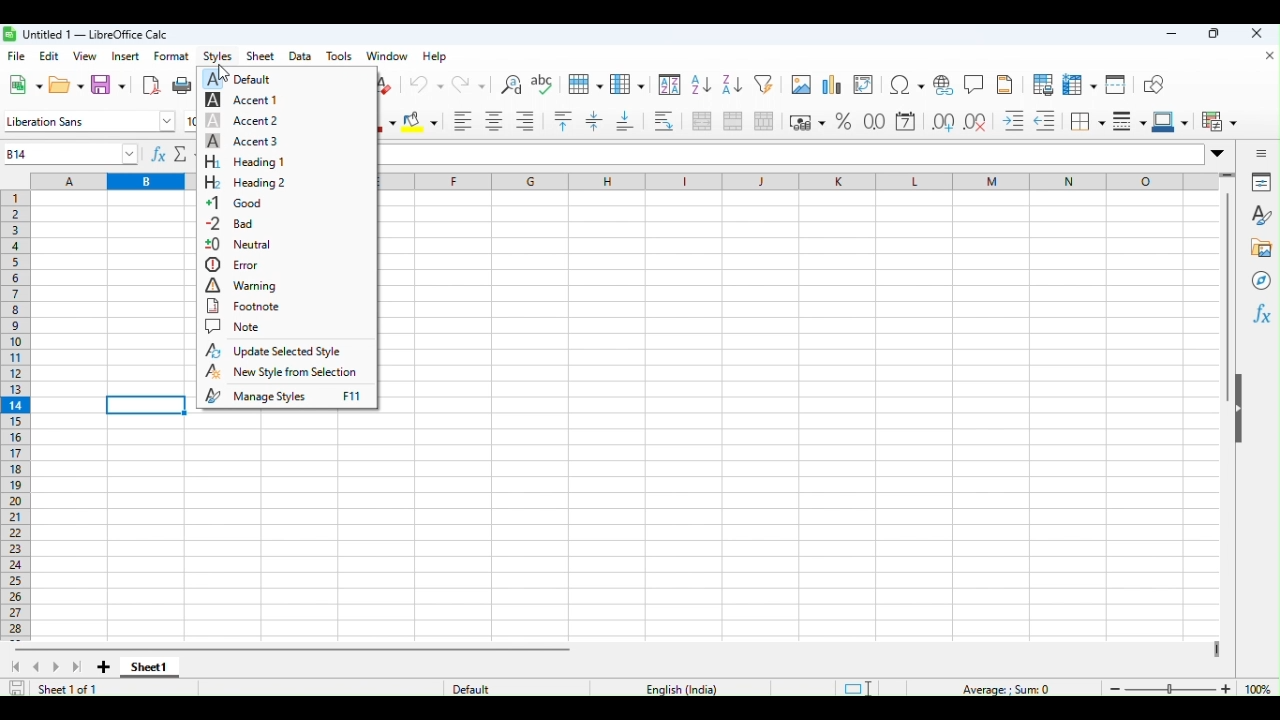 This screenshot has width=1280, height=720. Describe the element at coordinates (86, 122) in the screenshot. I see `Liberation Sans` at that location.